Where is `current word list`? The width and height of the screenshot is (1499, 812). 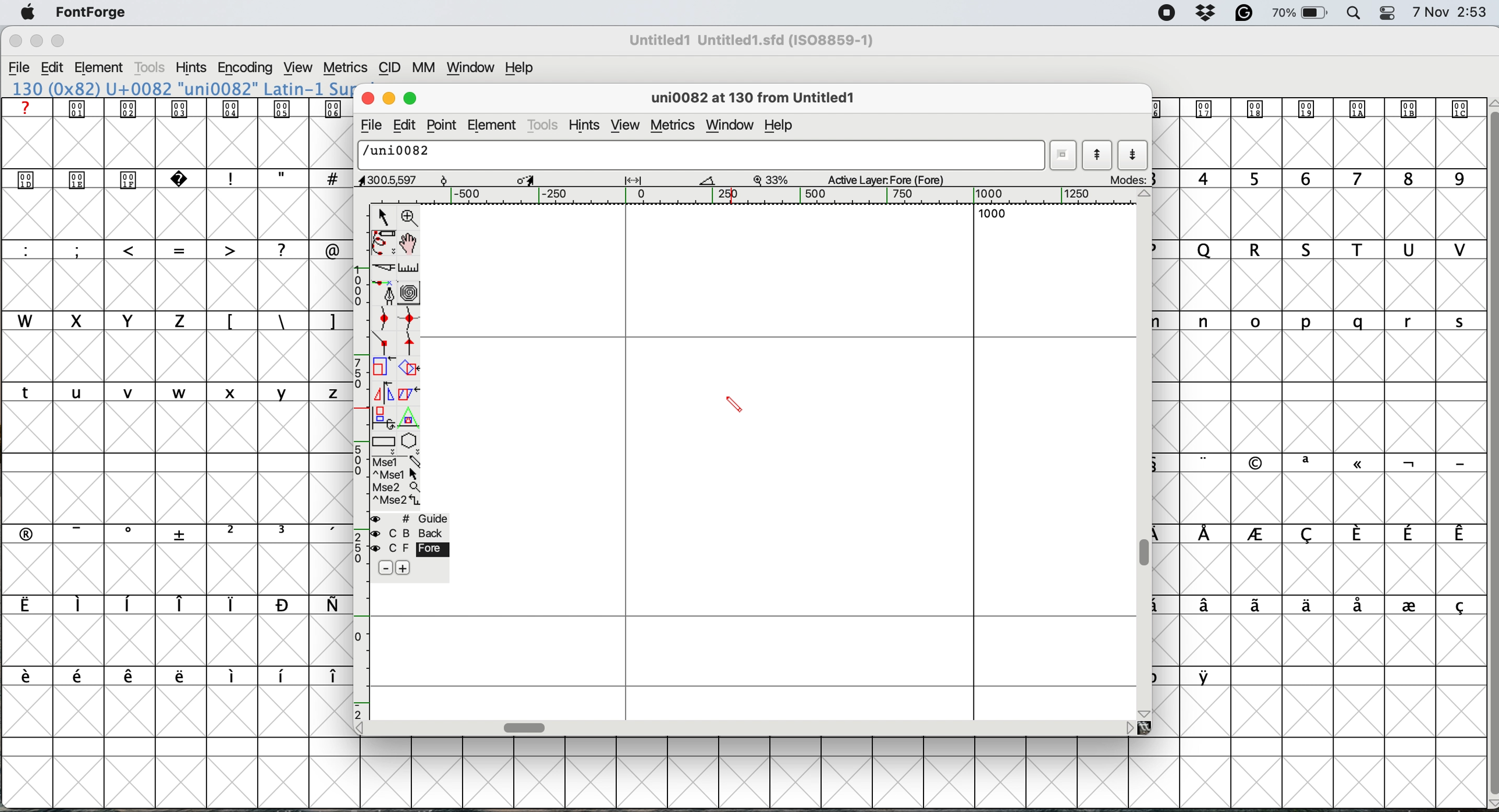
current word list is located at coordinates (1065, 155).